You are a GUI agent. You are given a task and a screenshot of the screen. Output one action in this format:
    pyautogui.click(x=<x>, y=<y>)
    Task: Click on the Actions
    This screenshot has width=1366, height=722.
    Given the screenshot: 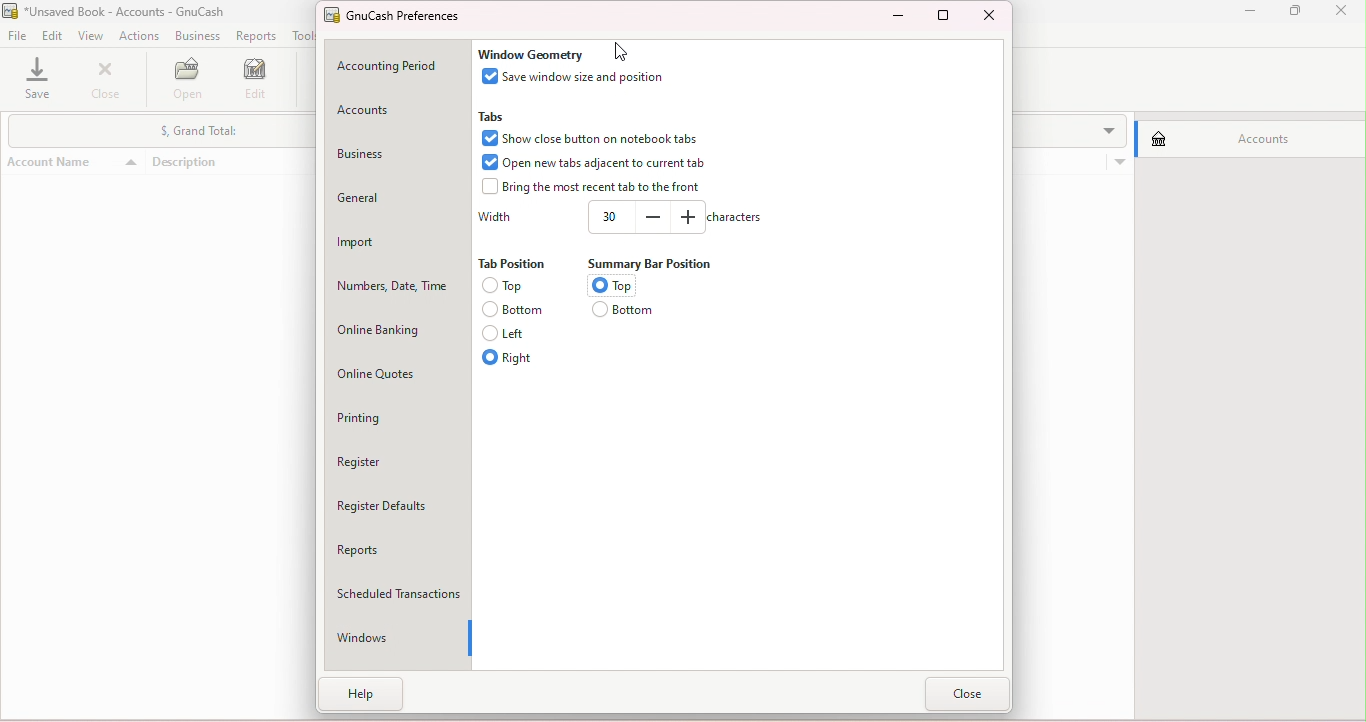 What is the action you would take?
    pyautogui.click(x=138, y=36)
    